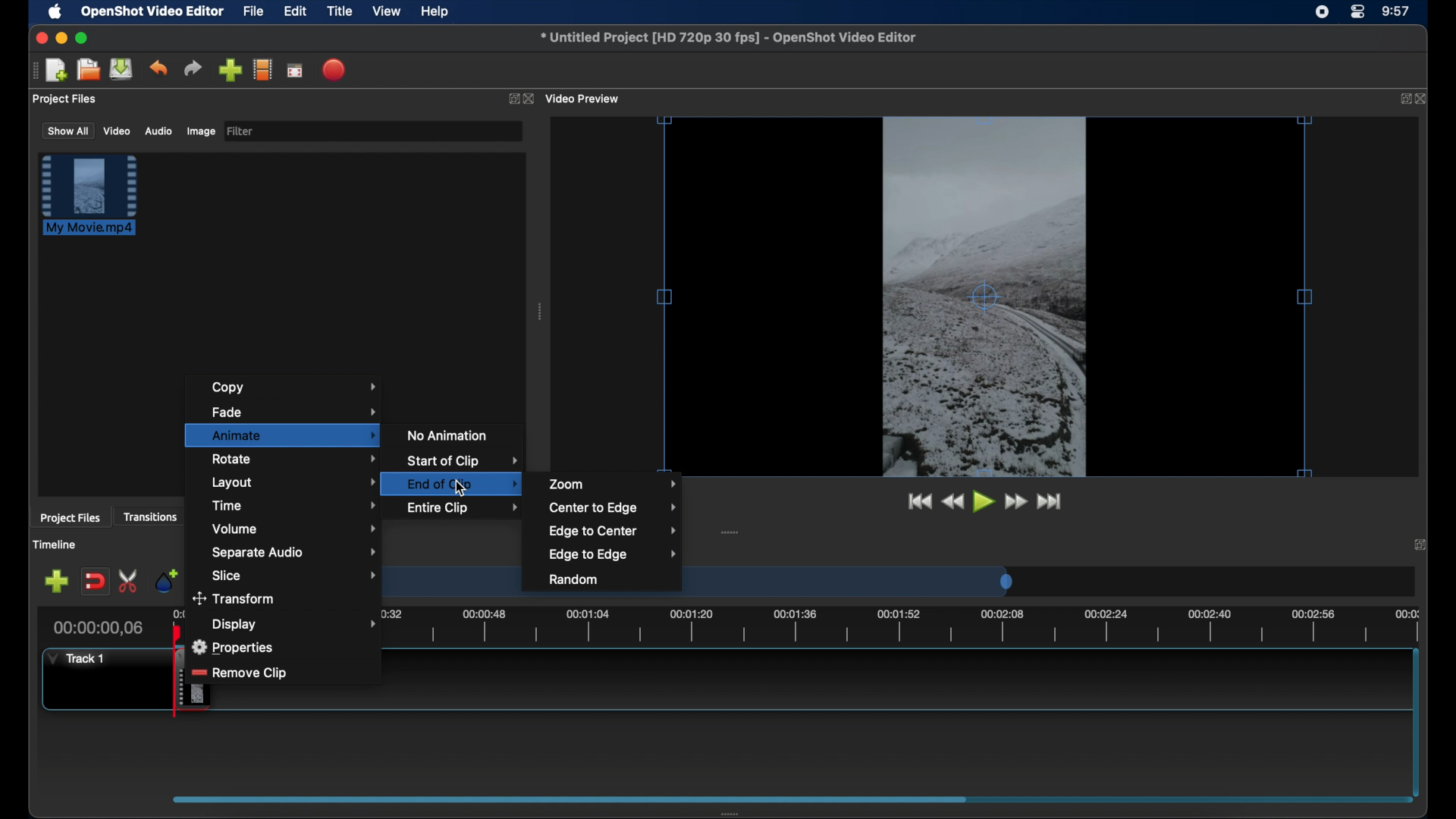  What do you see at coordinates (295, 504) in the screenshot?
I see `time menu` at bounding box center [295, 504].